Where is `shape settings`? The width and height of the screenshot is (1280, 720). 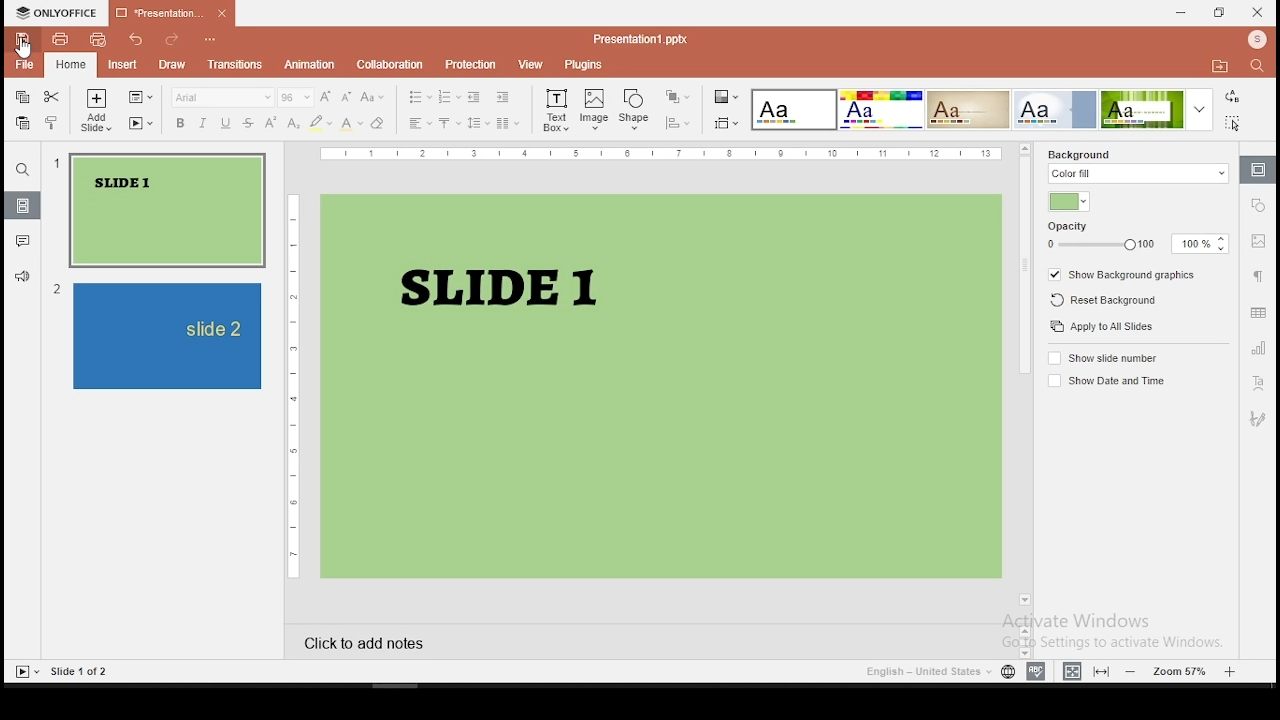
shape settings is located at coordinates (1260, 204).